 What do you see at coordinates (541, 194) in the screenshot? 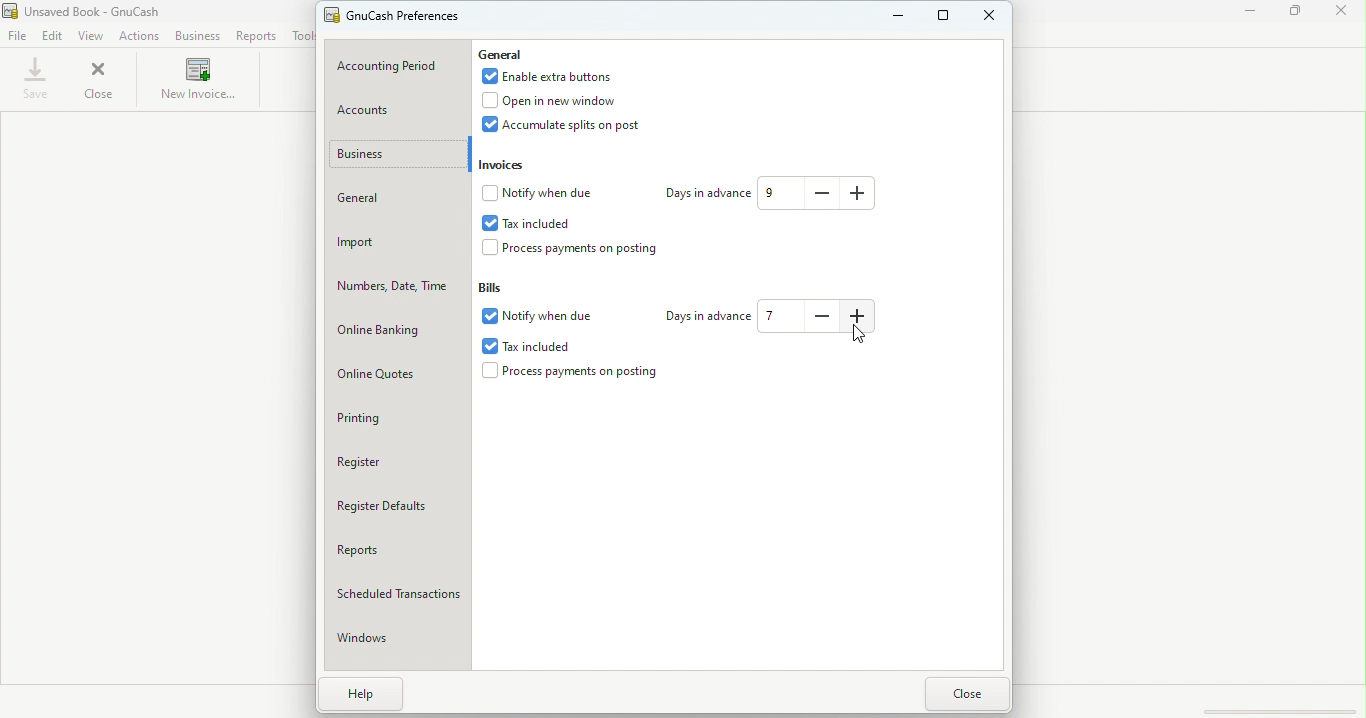
I see `Notify when due` at bounding box center [541, 194].